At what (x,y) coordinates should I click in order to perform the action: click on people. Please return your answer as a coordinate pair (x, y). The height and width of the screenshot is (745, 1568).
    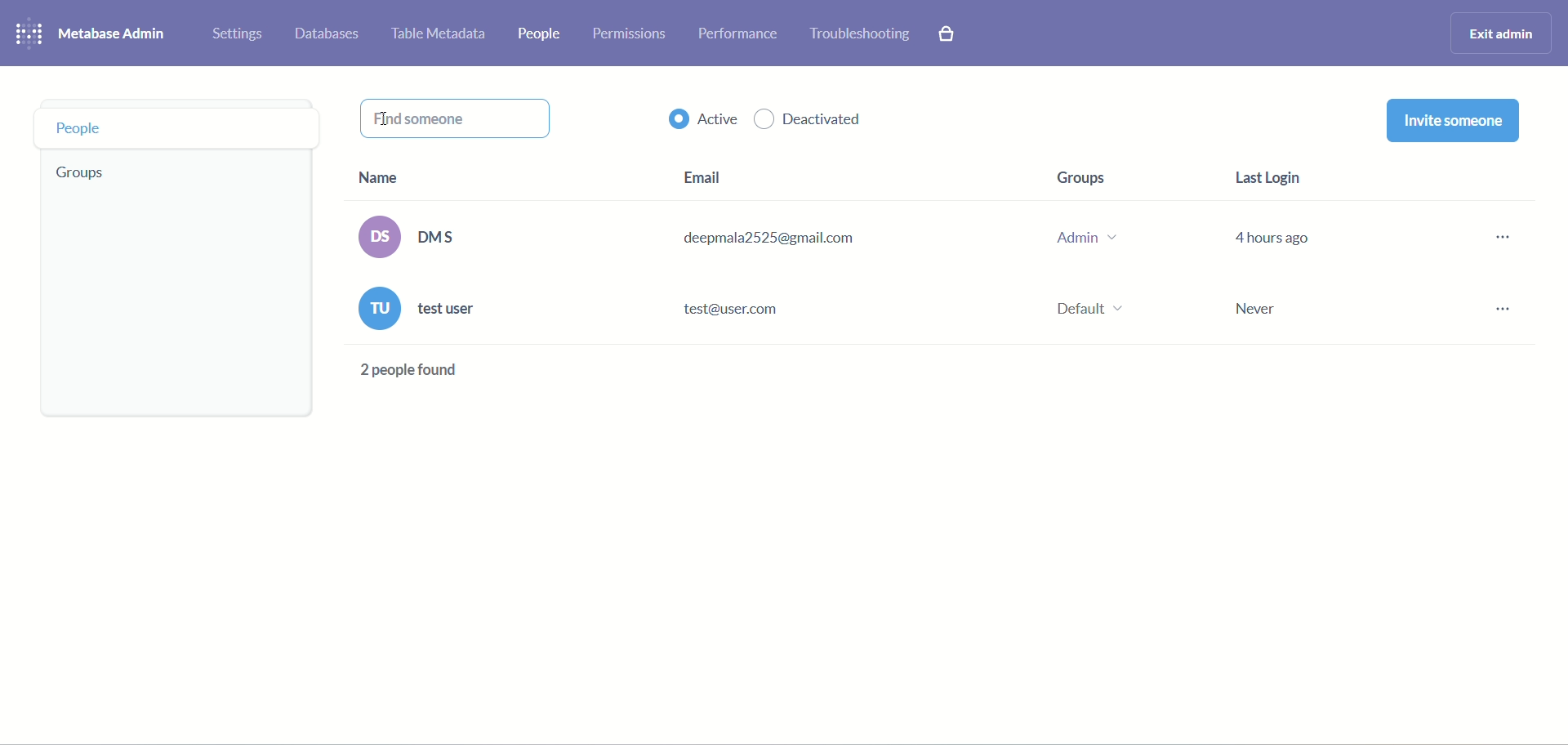
    Looking at the image, I should click on (176, 127).